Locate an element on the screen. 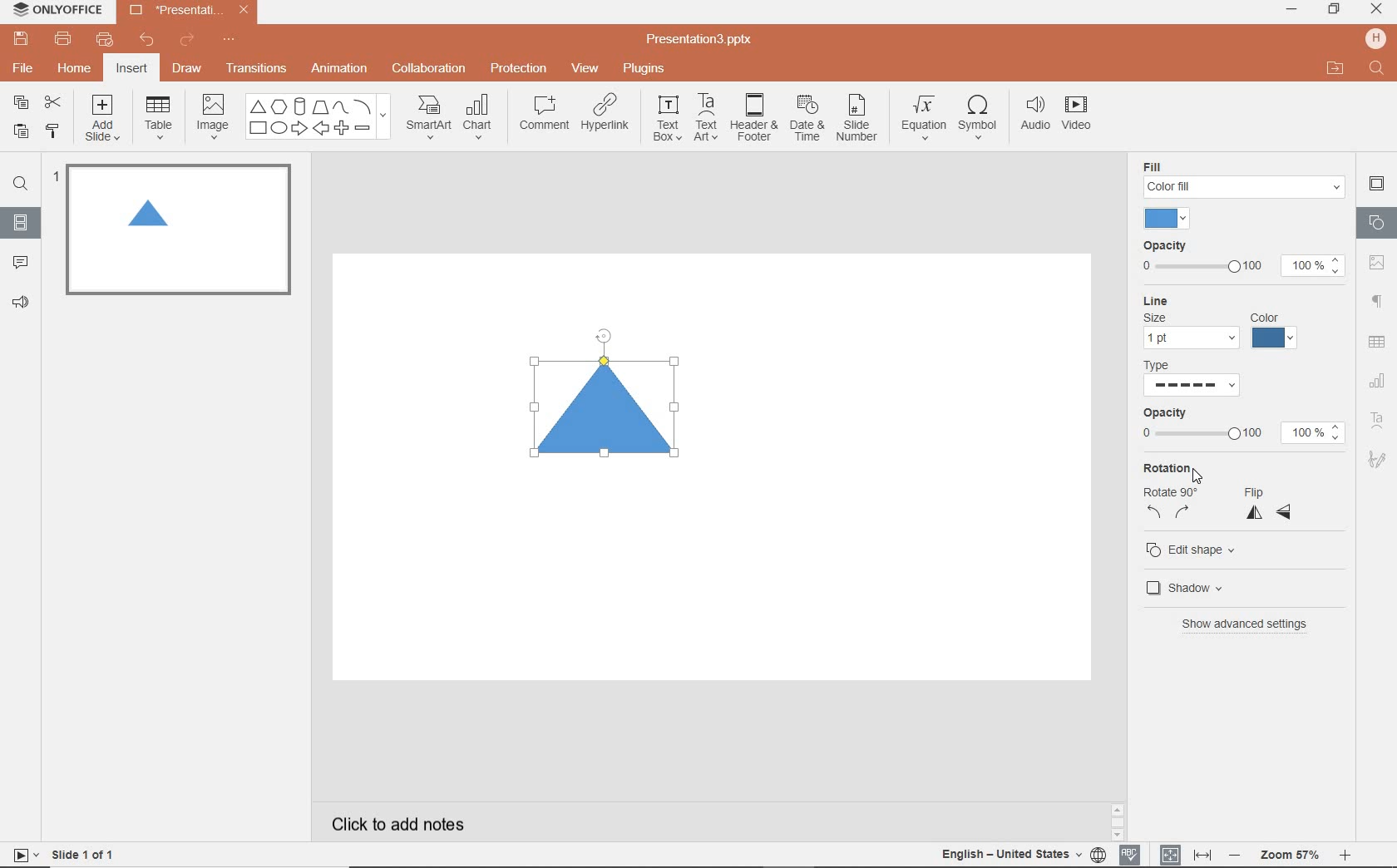  UNDO is located at coordinates (148, 41).